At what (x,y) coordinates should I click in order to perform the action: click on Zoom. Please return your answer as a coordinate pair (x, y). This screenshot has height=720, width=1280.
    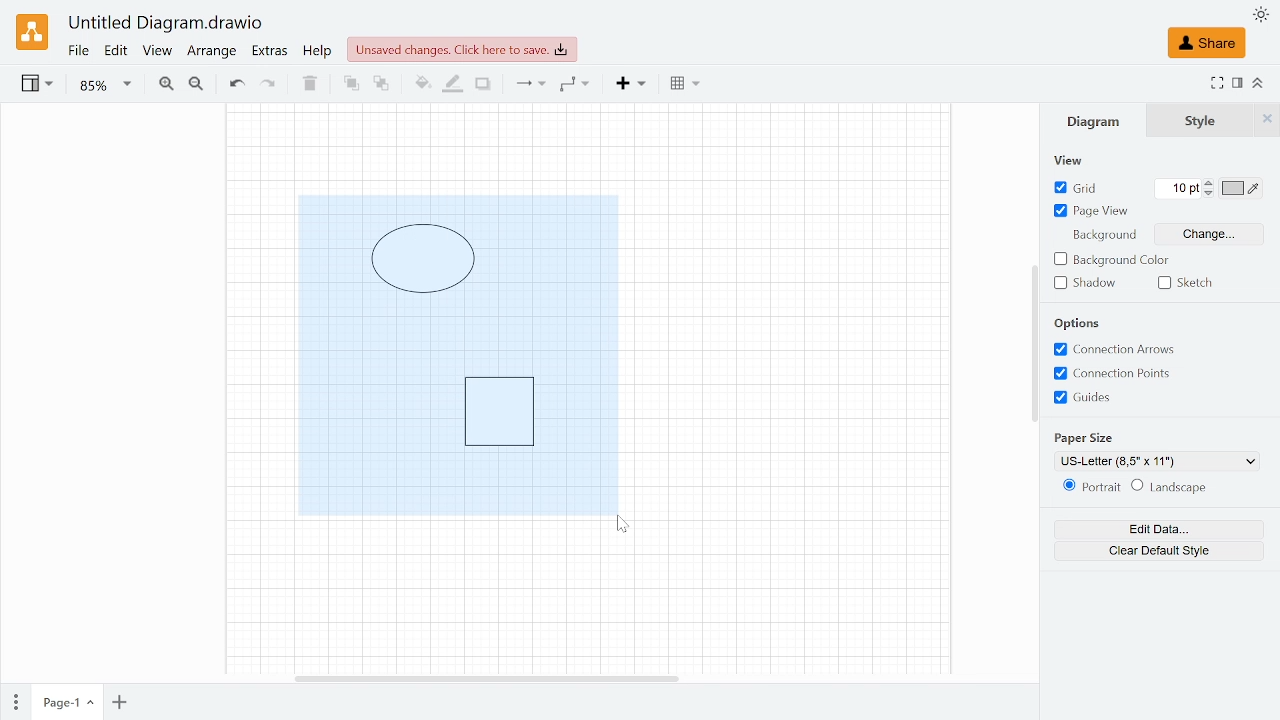
    Looking at the image, I should click on (105, 86).